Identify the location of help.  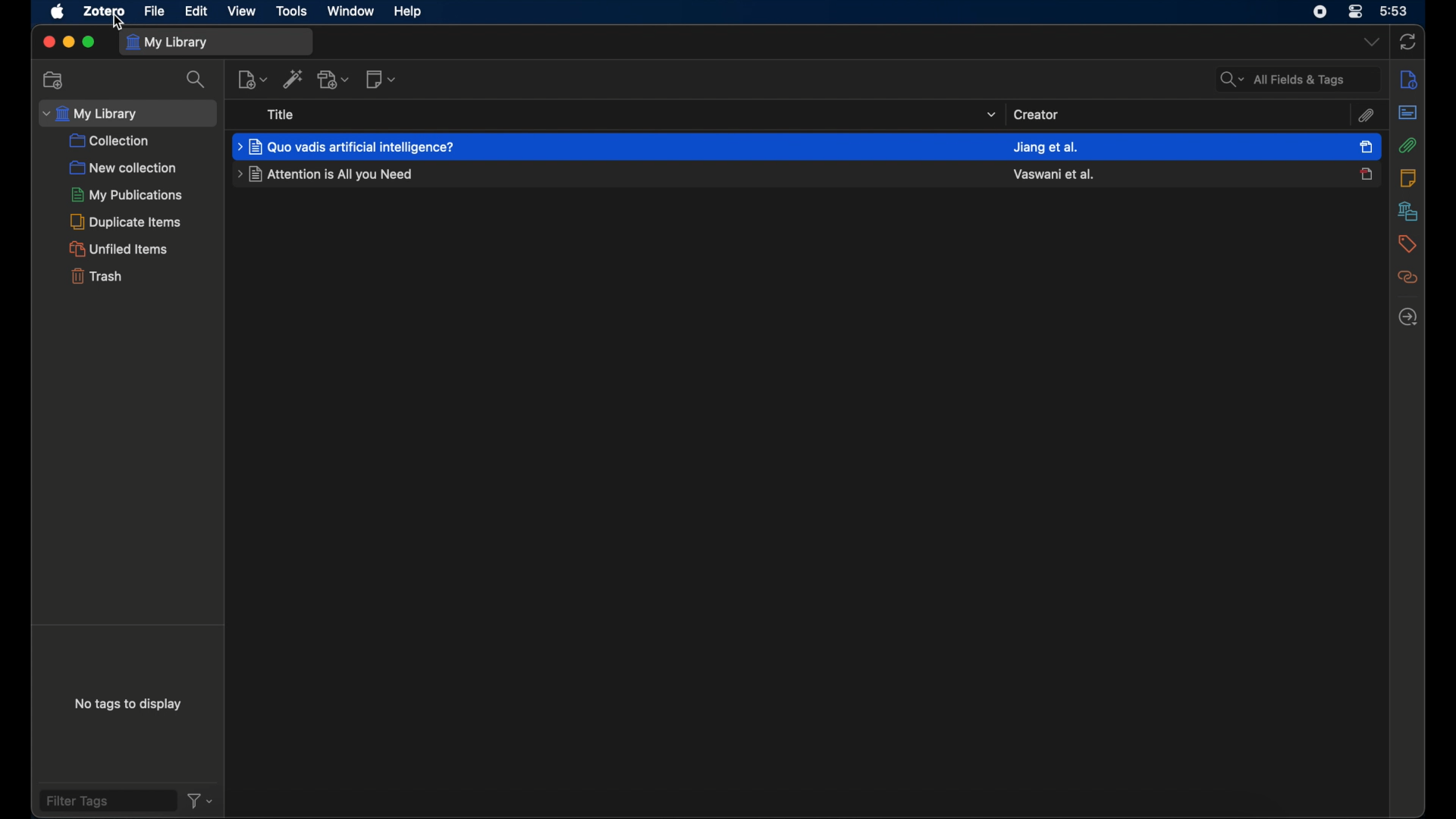
(410, 11).